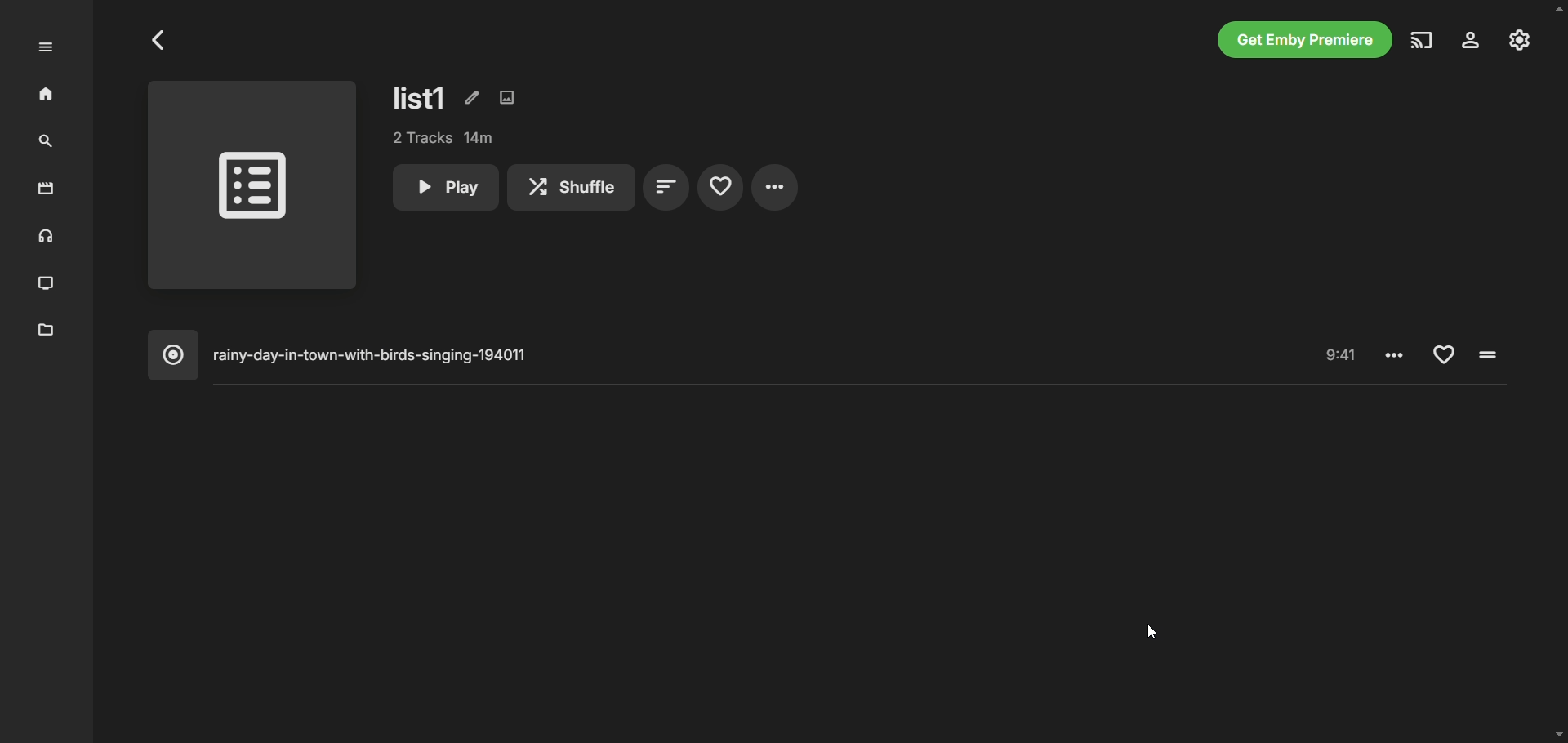  What do you see at coordinates (719, 188) in the screenshot?
I see `favorites` at bounding box center [719, 188].